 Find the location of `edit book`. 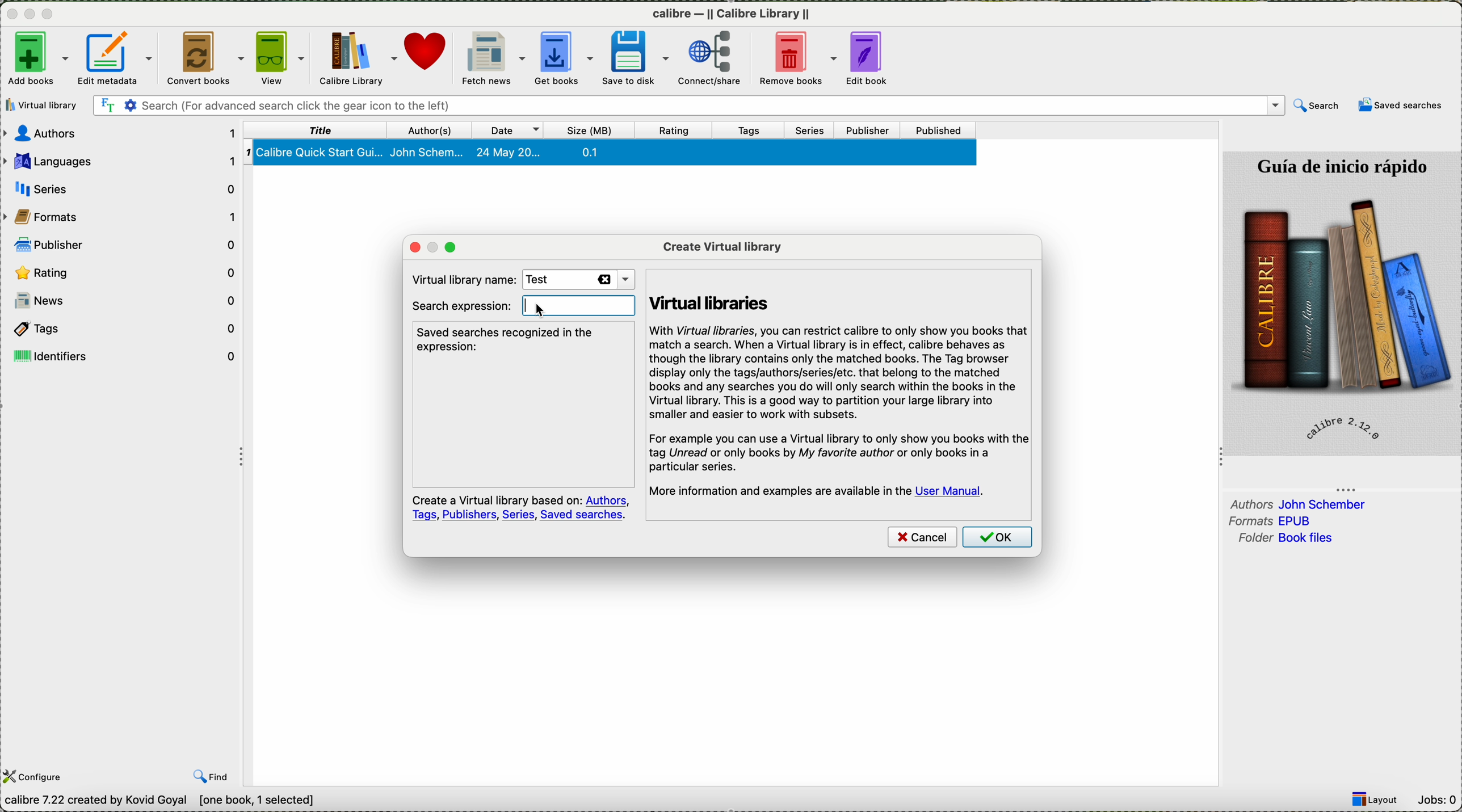

edit book is located at coordinates (873, 58).